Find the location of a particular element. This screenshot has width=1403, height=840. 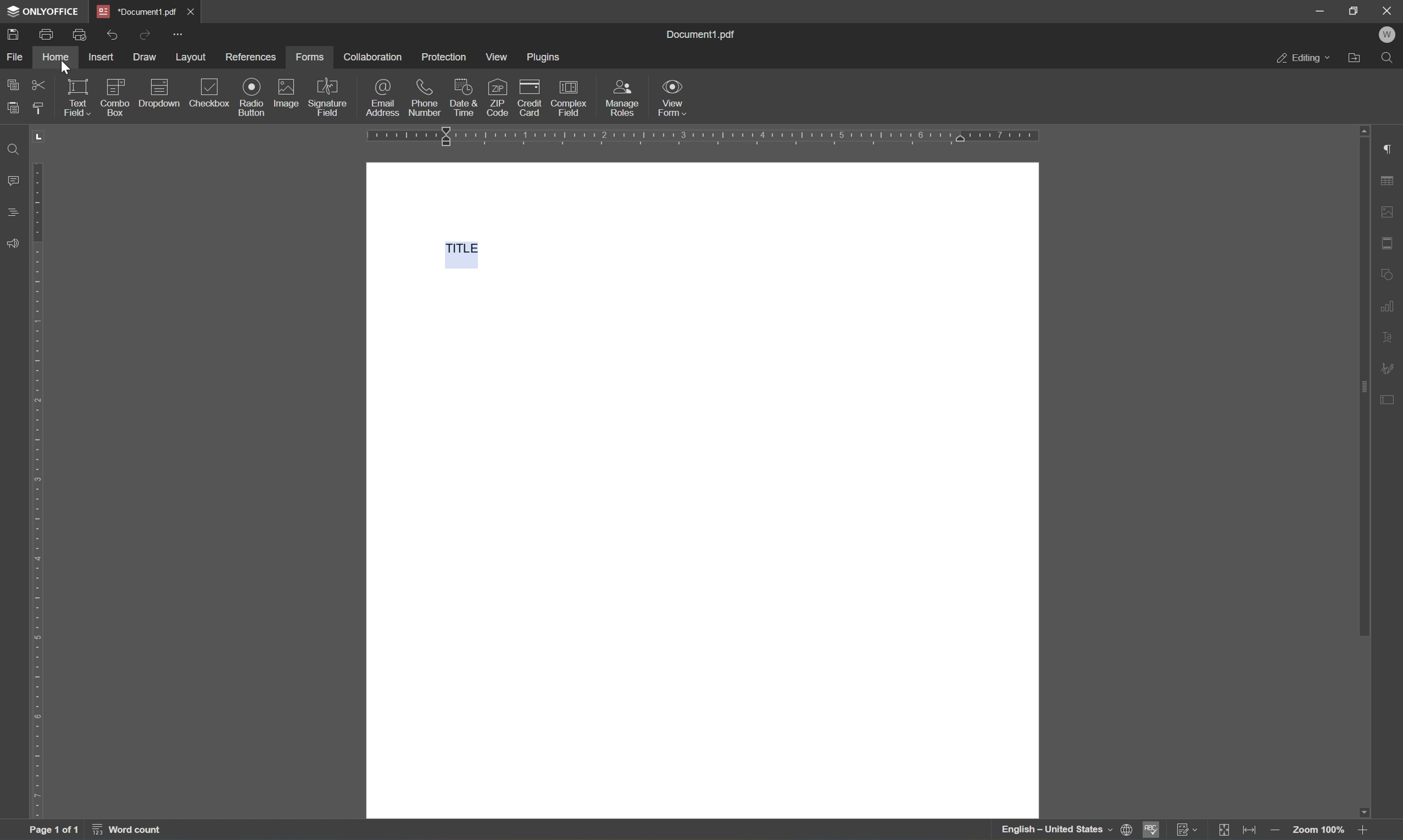

Zoom in is located at coordinates (1366, 830).